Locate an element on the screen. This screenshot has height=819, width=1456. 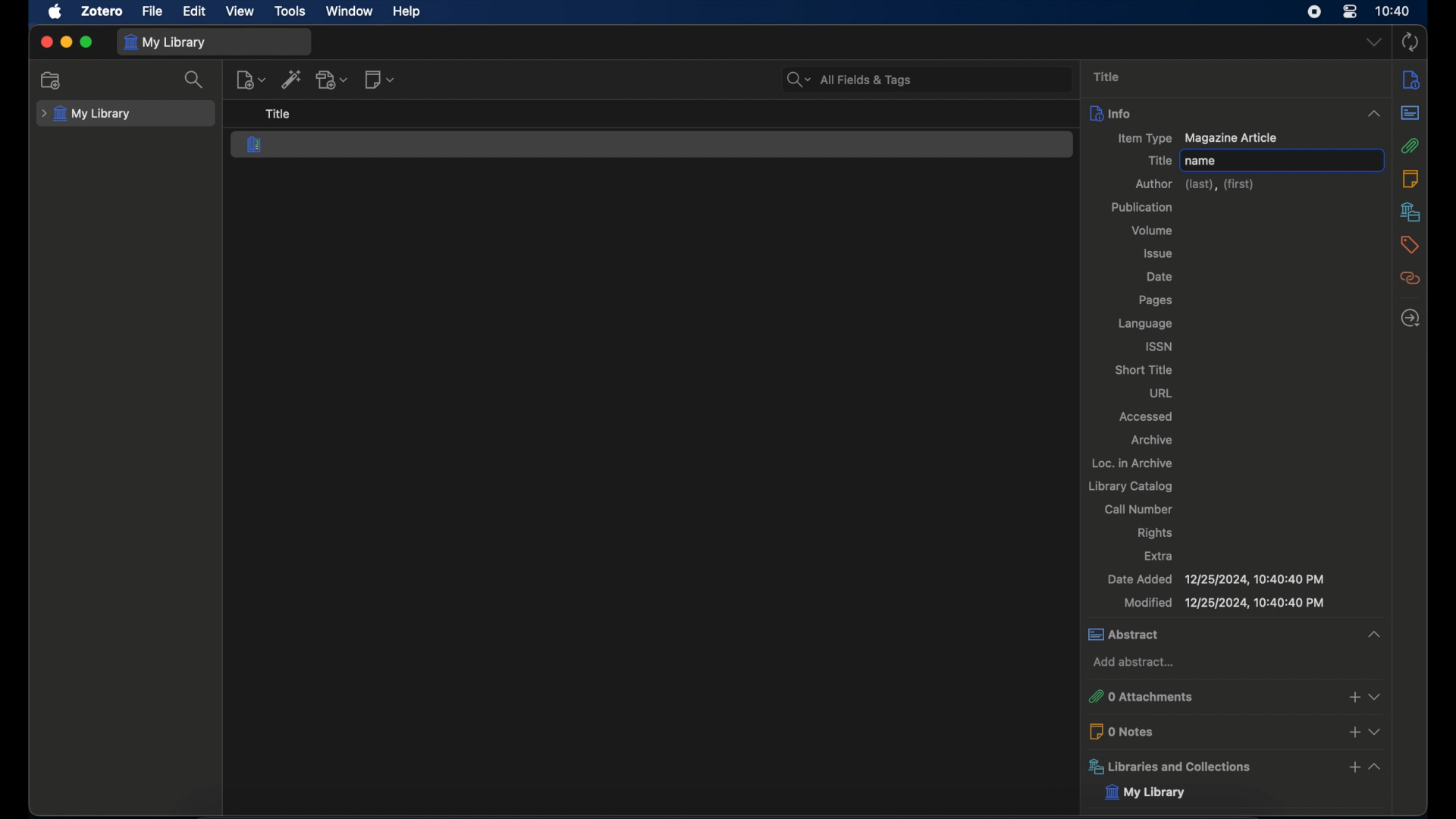
date added is located at coordinates (1216, 579).